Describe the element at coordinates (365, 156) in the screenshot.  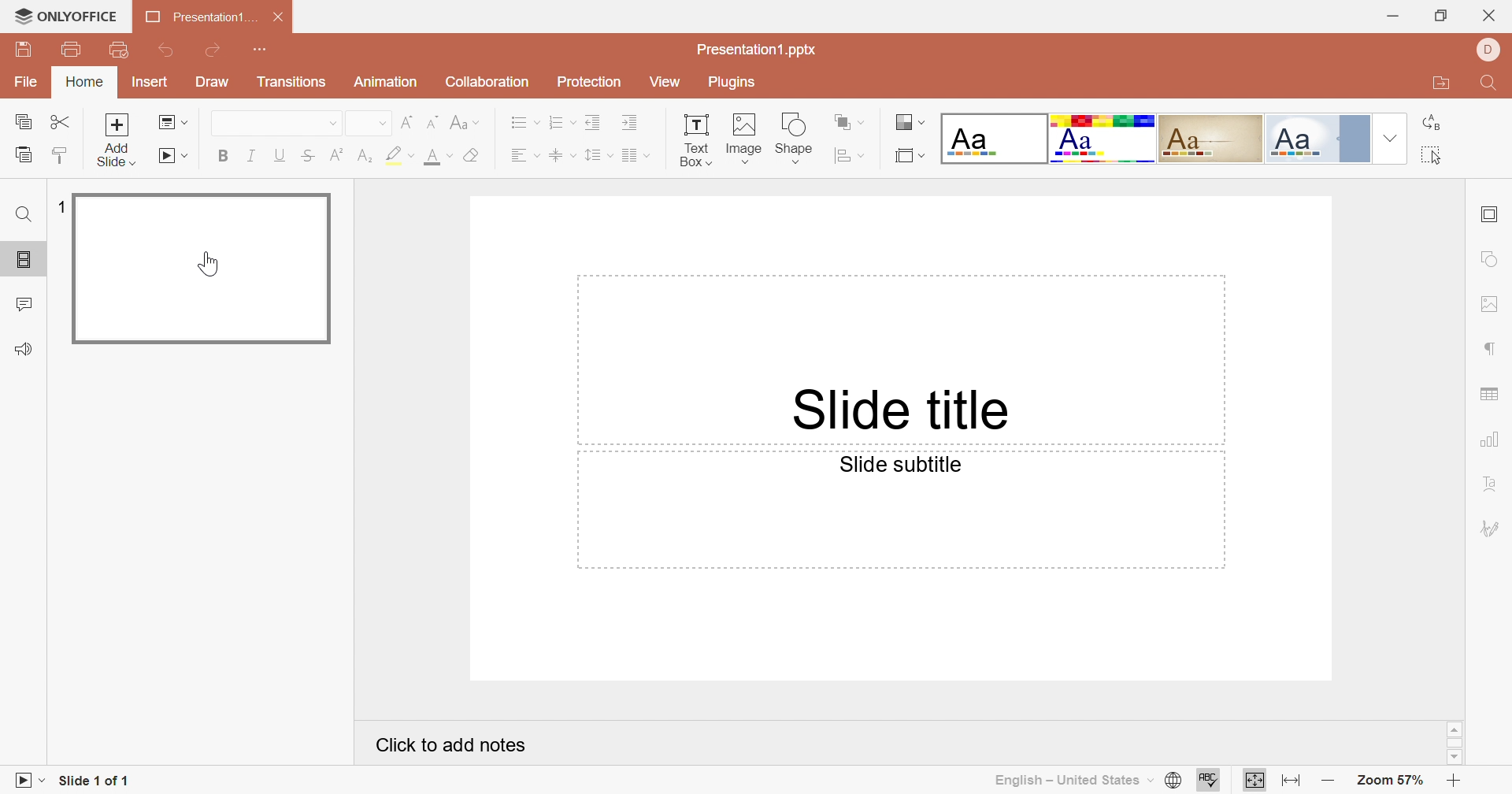
I see `Subscript` at that location.